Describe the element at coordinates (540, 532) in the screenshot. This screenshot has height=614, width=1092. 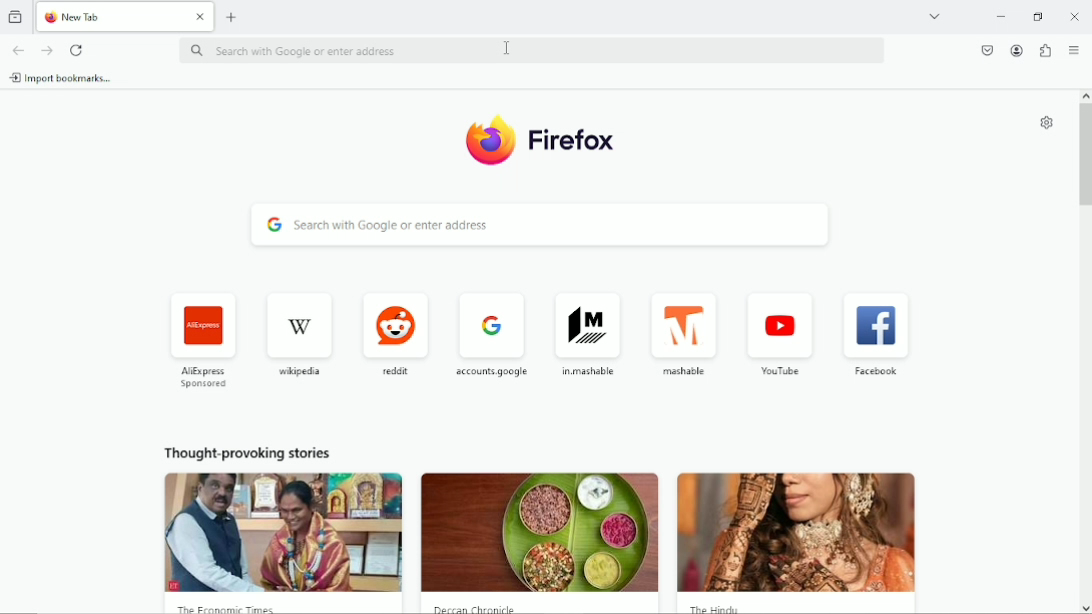
I see `image` at that location.